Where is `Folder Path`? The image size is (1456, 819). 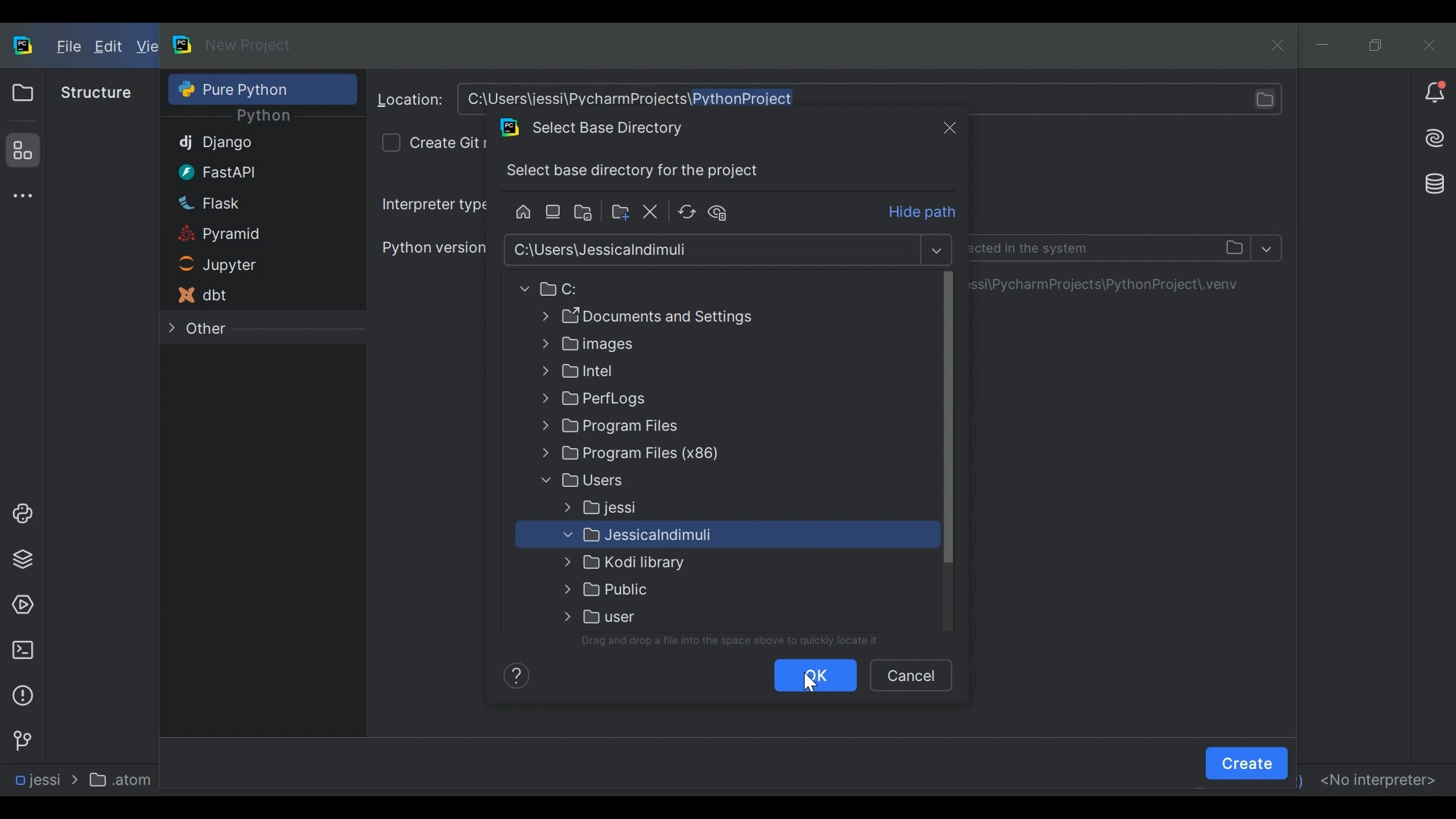
Folder Path is located at coordinates (664, 400).